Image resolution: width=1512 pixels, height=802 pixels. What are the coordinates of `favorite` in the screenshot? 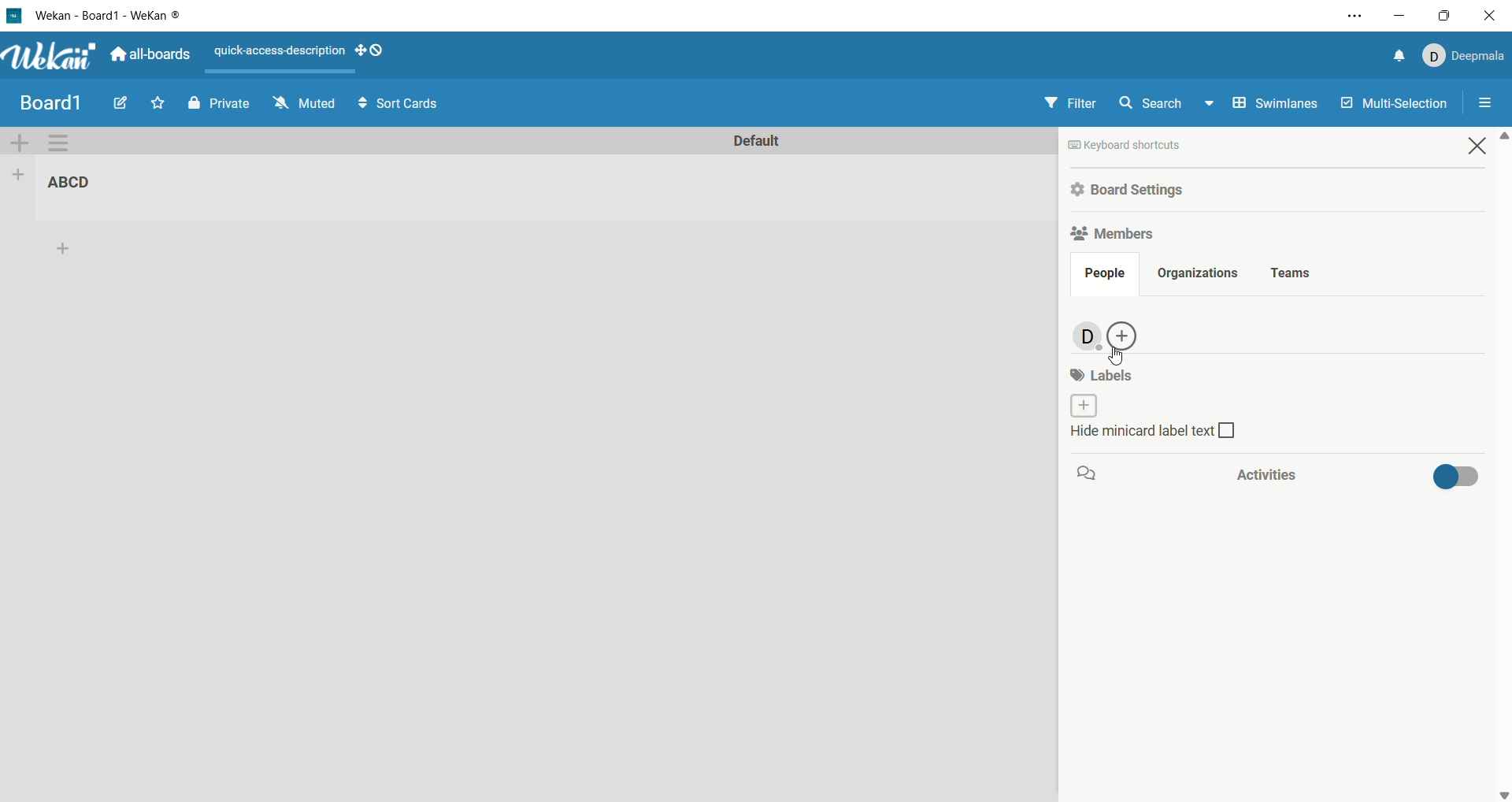 It's located at (157, 102).